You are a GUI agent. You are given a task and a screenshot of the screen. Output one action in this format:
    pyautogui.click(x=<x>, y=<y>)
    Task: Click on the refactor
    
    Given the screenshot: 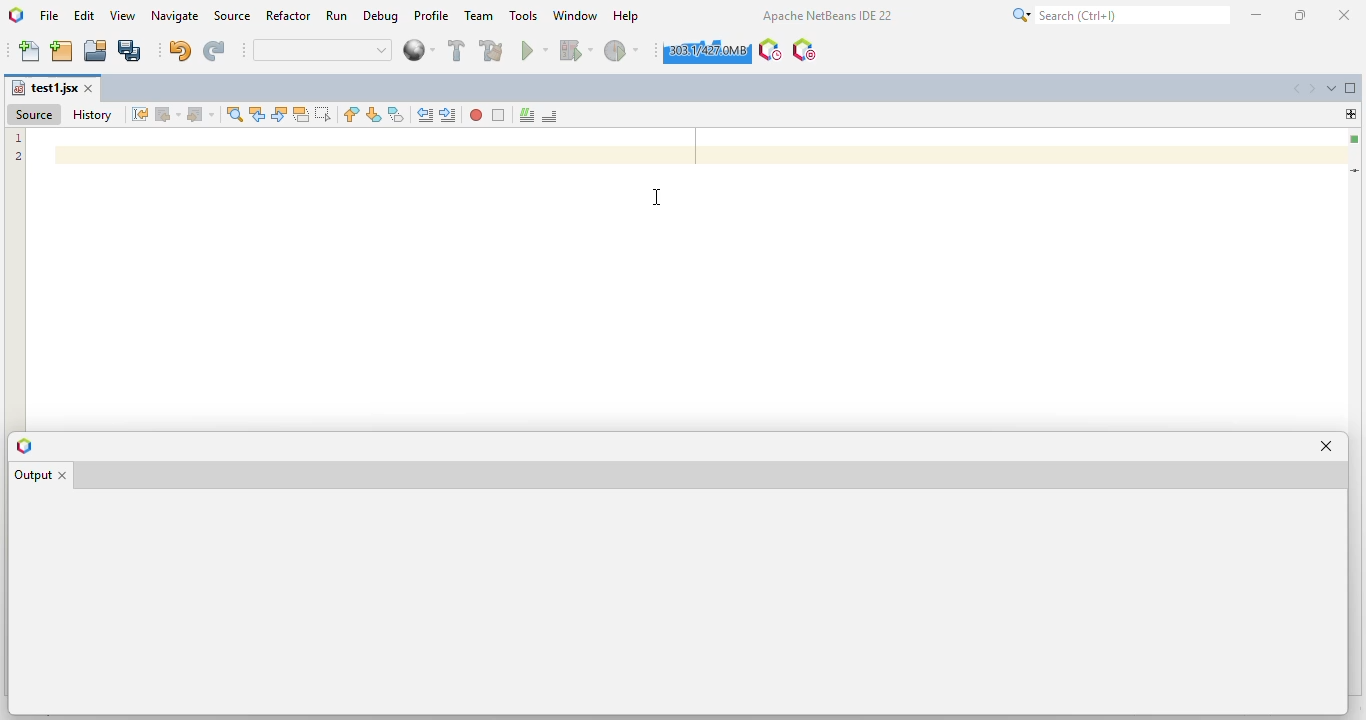 What is the action you would take?
    pyautogui.click(x=289, y=15)
    